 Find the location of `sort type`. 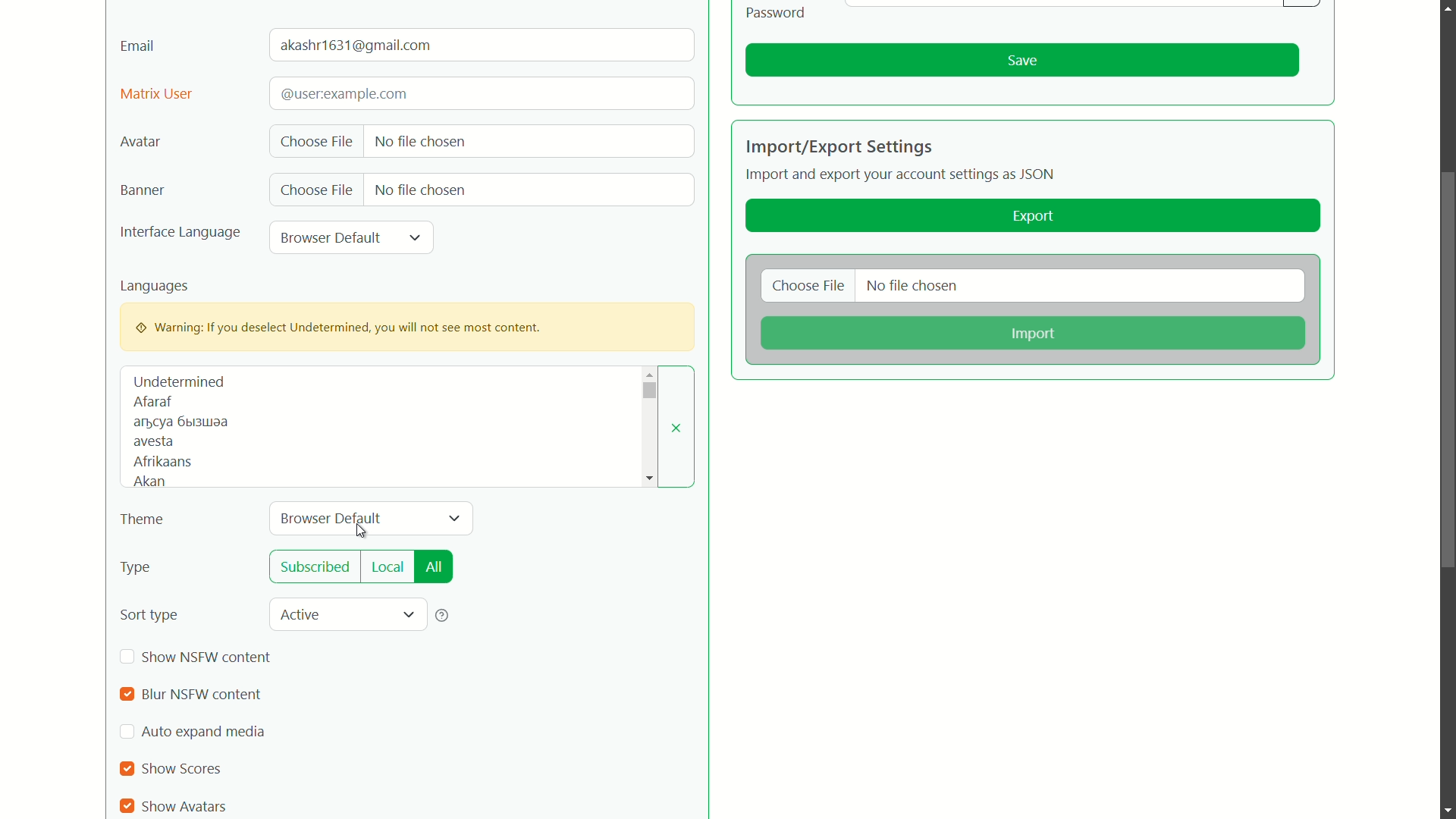

sort type is located at coordinates (149, 615).